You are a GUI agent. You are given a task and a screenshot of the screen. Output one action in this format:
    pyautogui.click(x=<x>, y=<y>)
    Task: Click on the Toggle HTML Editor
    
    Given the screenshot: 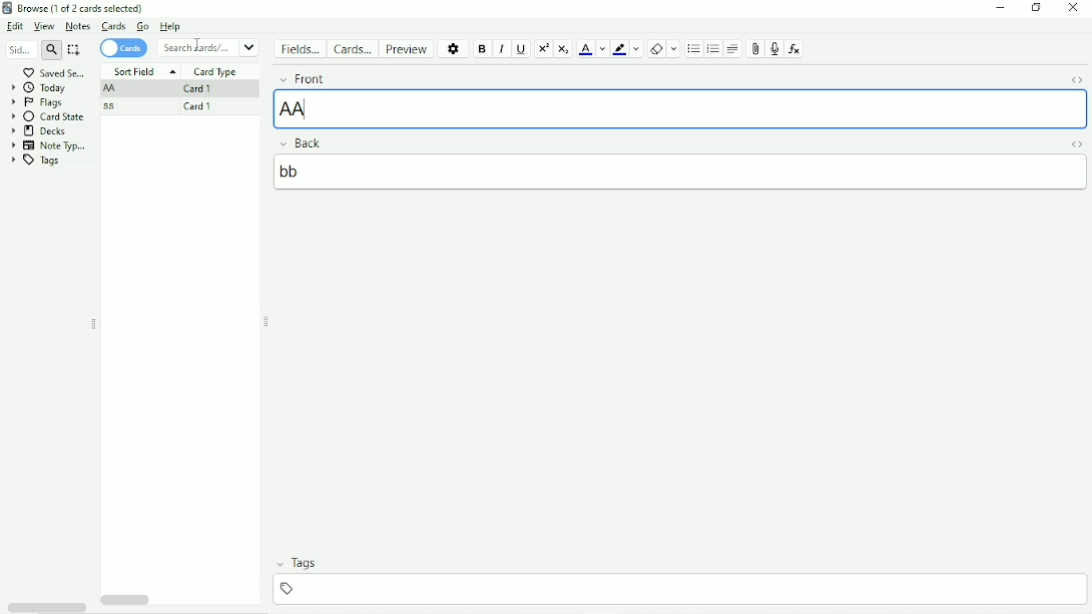 What is the action you would take?
    pyautogui.click(x=1073, y=143)
    